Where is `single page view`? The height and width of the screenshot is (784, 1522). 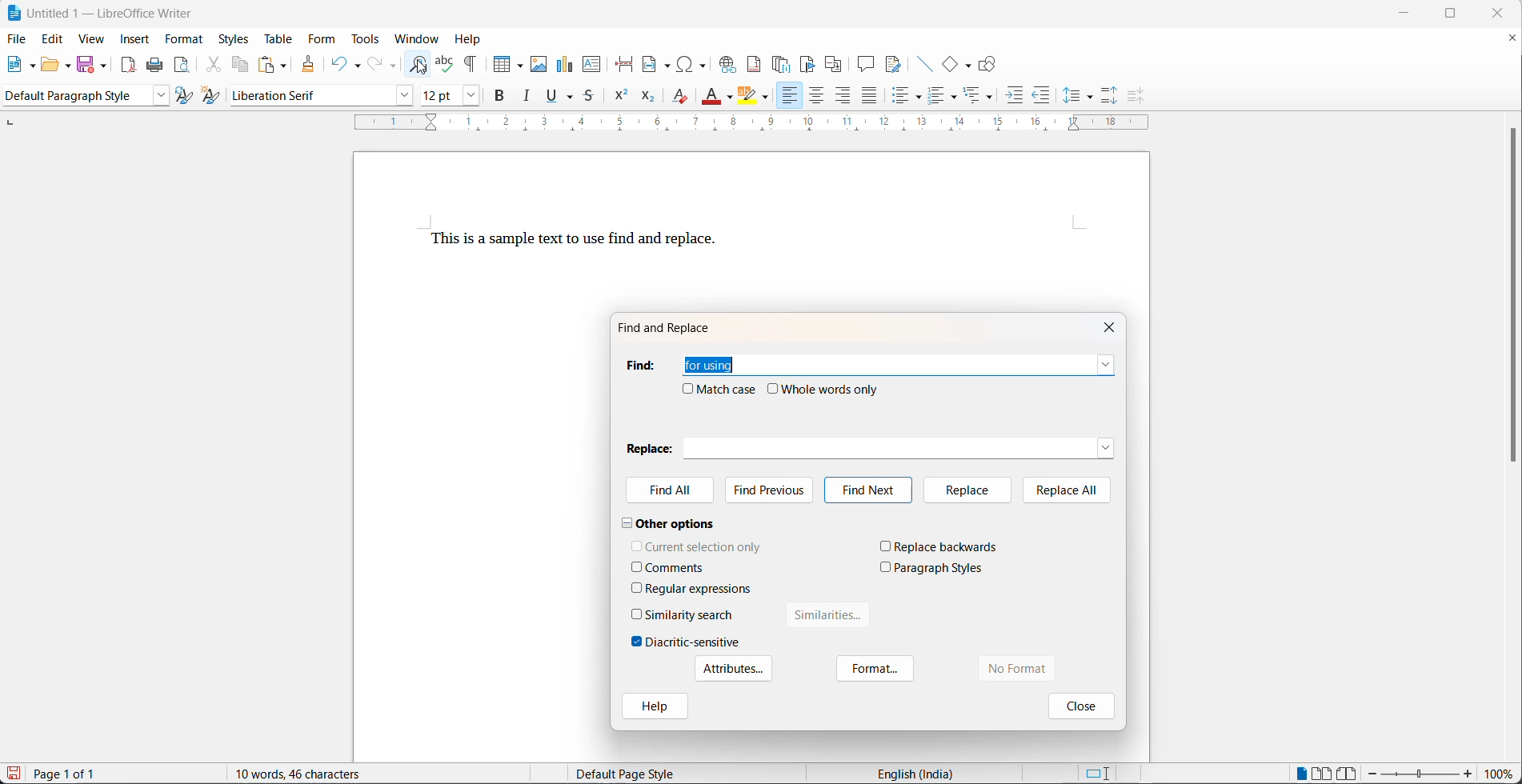
single page view is located at coordinates (1302, 772).